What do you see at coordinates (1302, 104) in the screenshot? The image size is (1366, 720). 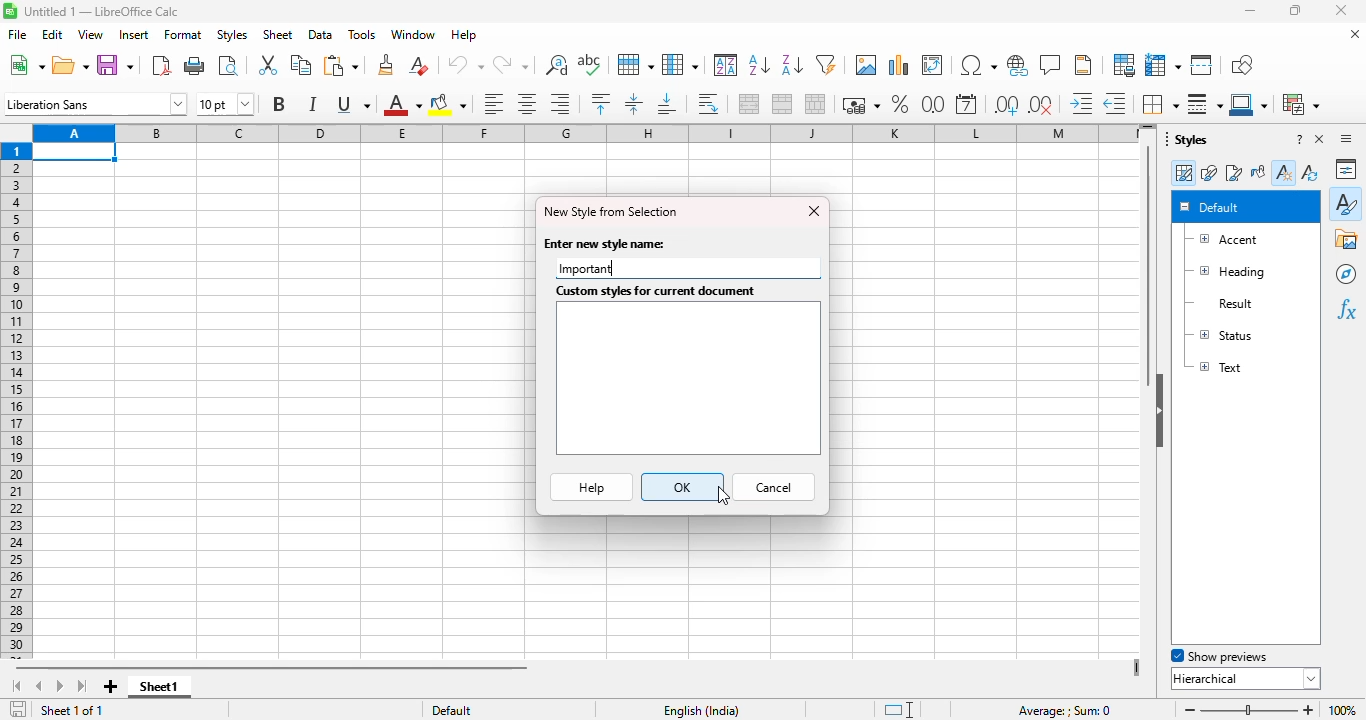 I see `conditional` at bounding box center [1302, 104].